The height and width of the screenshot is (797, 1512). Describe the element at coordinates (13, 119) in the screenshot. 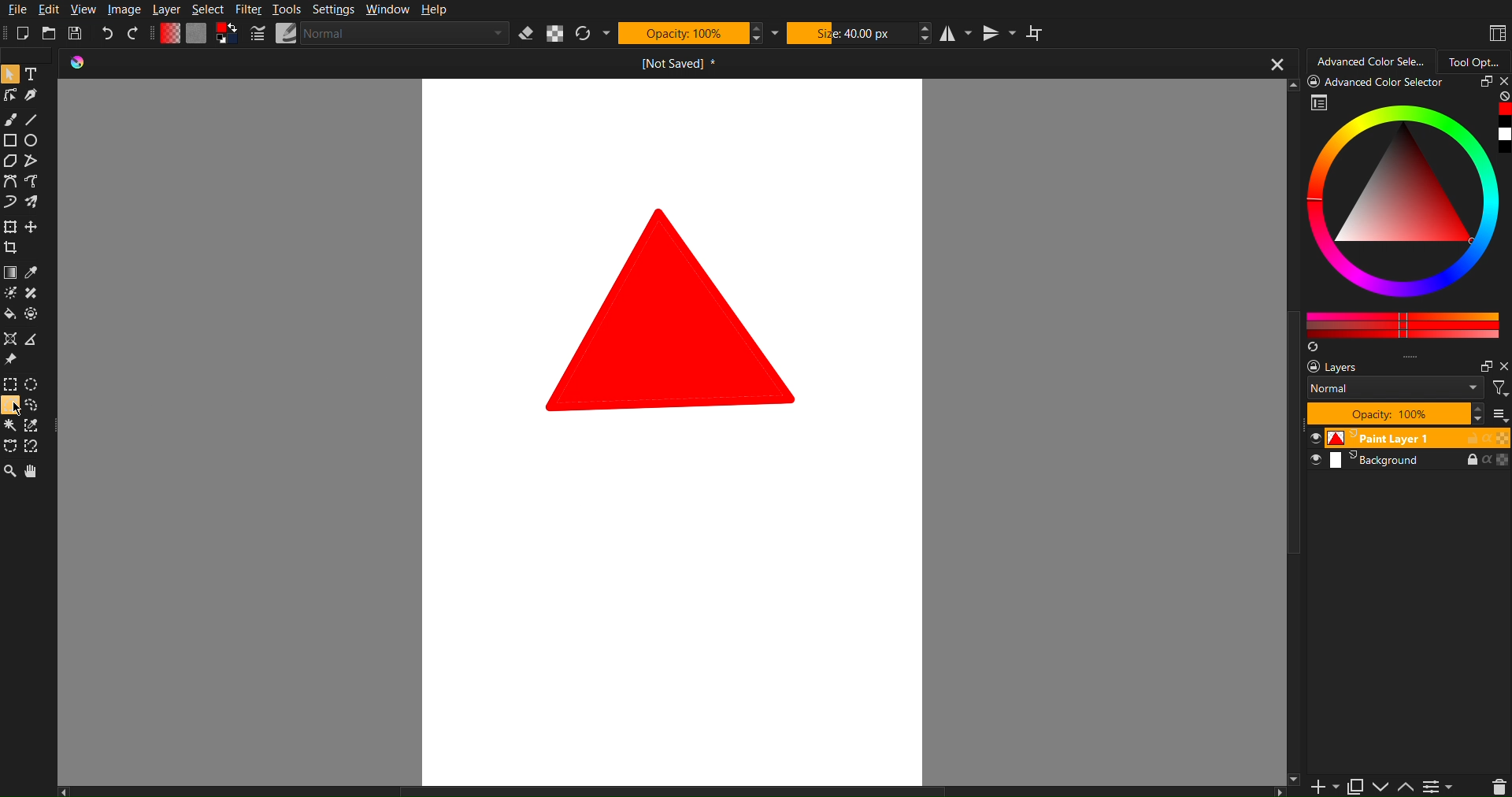

I see `Brush` at that location.